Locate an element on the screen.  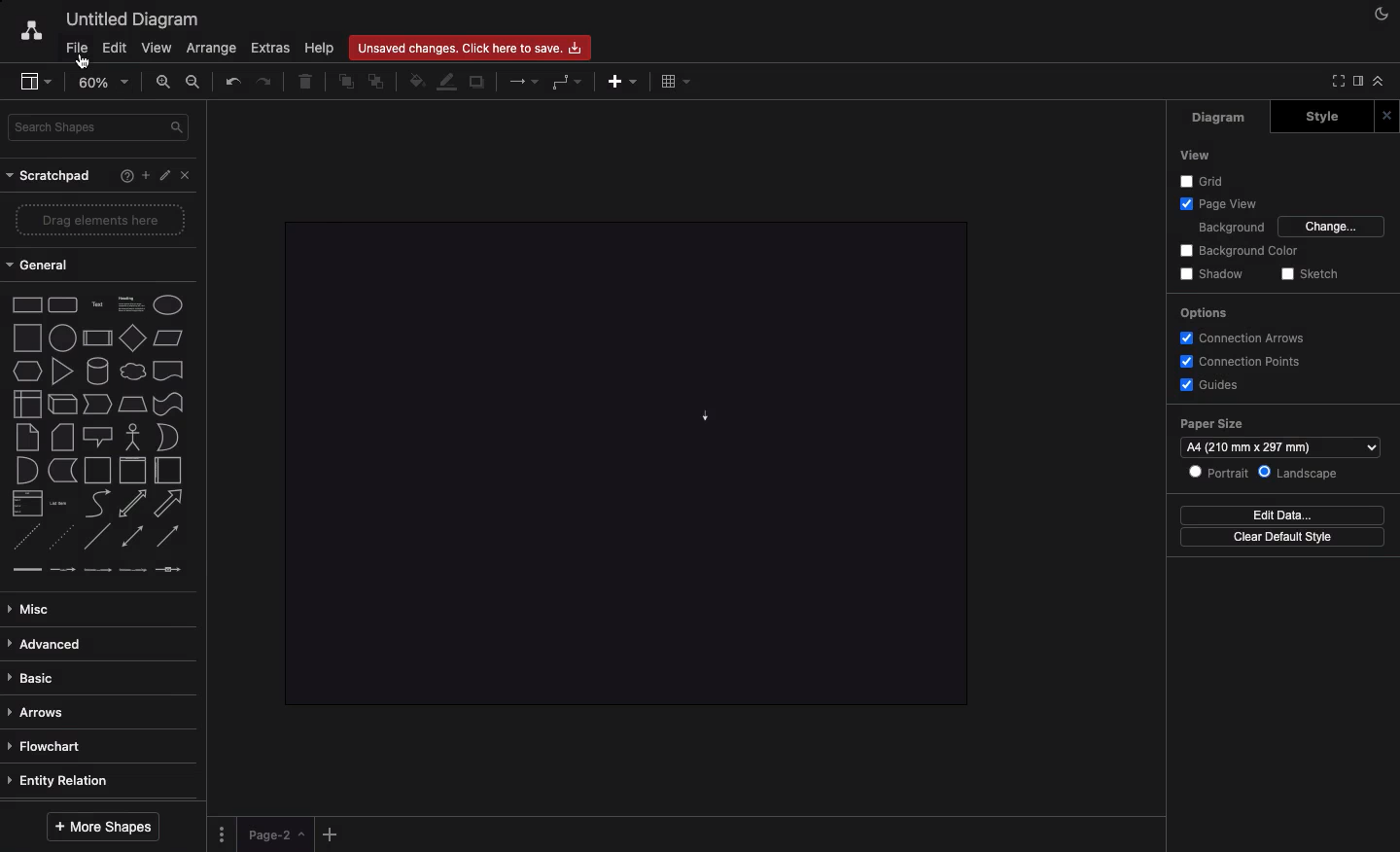
Redo is located at coordinates (267, 83).